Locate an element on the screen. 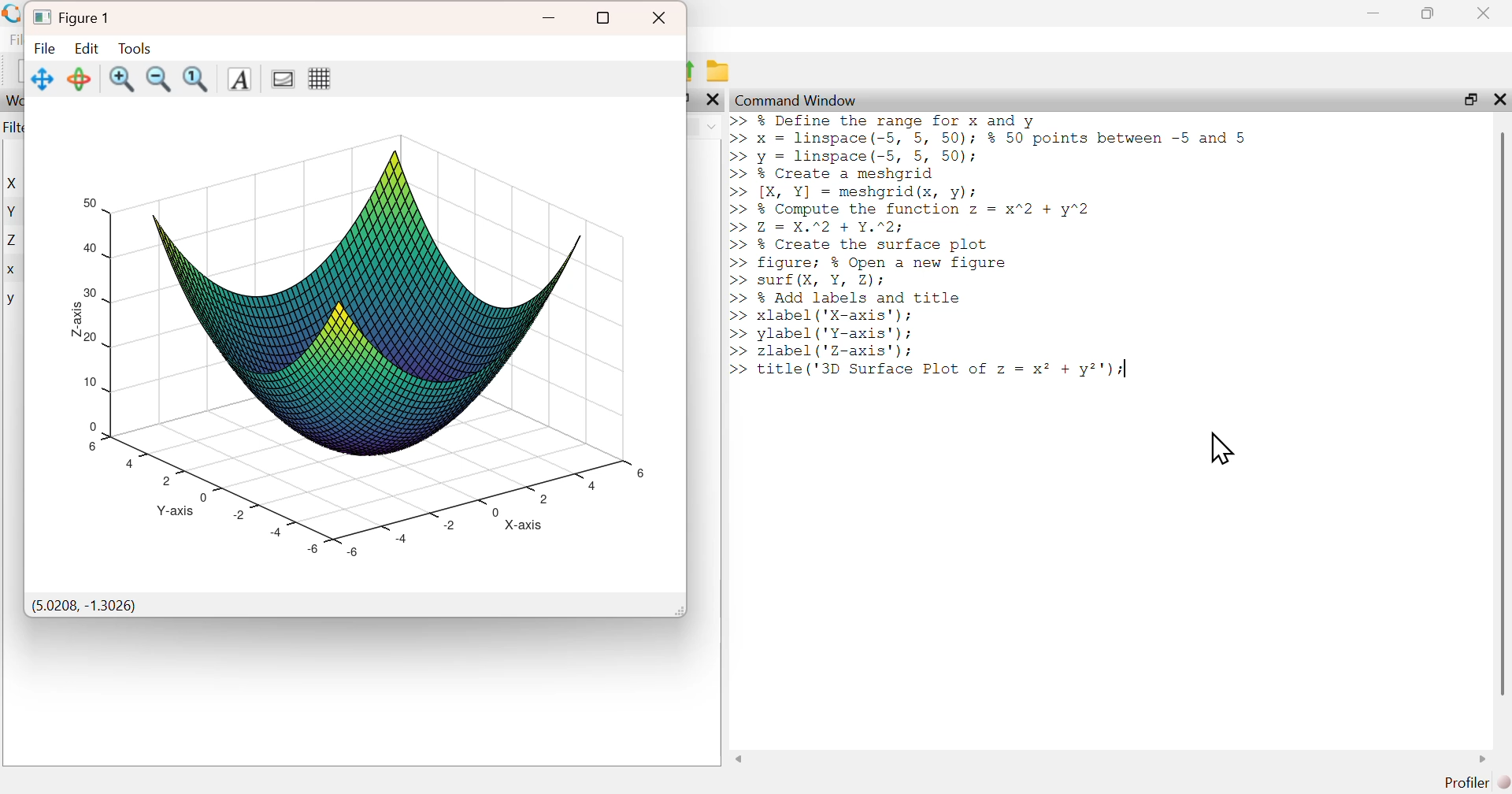 The height and width of the screenshot is (794, 1512). Text is located at coordinates (238, 80).